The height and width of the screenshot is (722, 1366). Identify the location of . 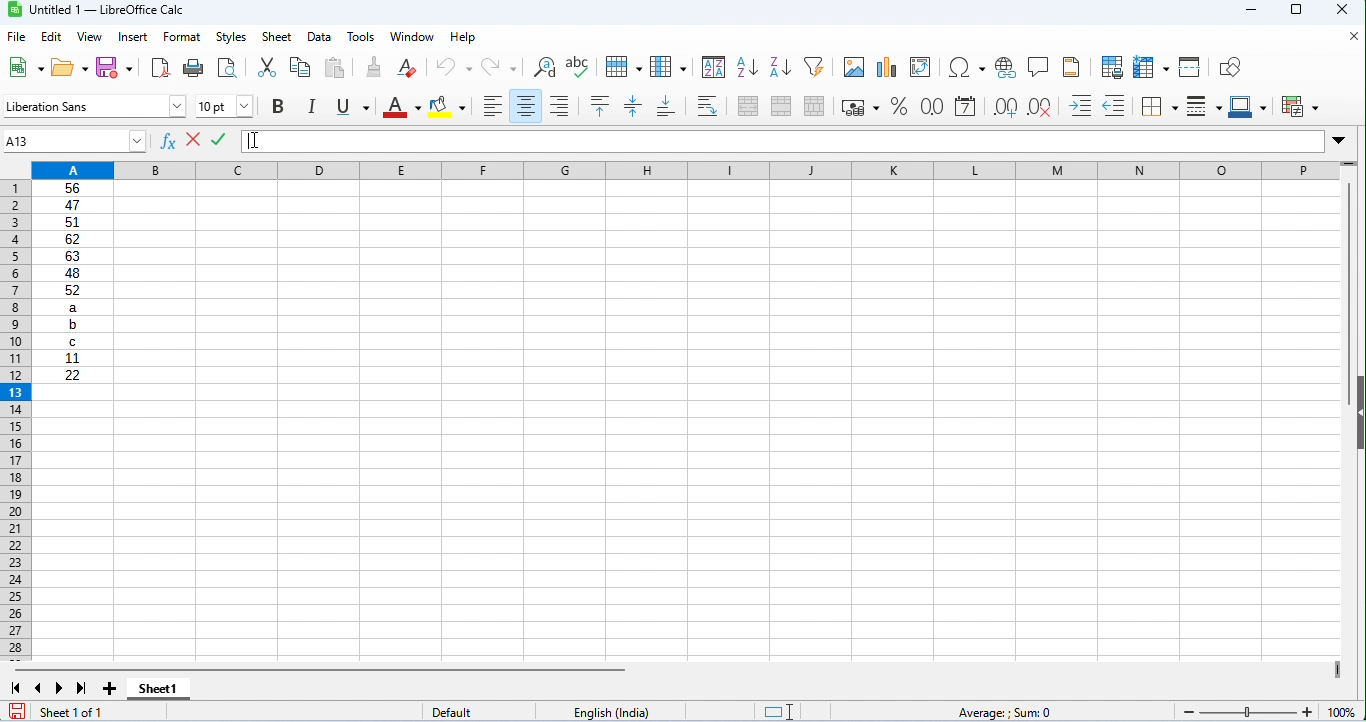
(1005, 68).